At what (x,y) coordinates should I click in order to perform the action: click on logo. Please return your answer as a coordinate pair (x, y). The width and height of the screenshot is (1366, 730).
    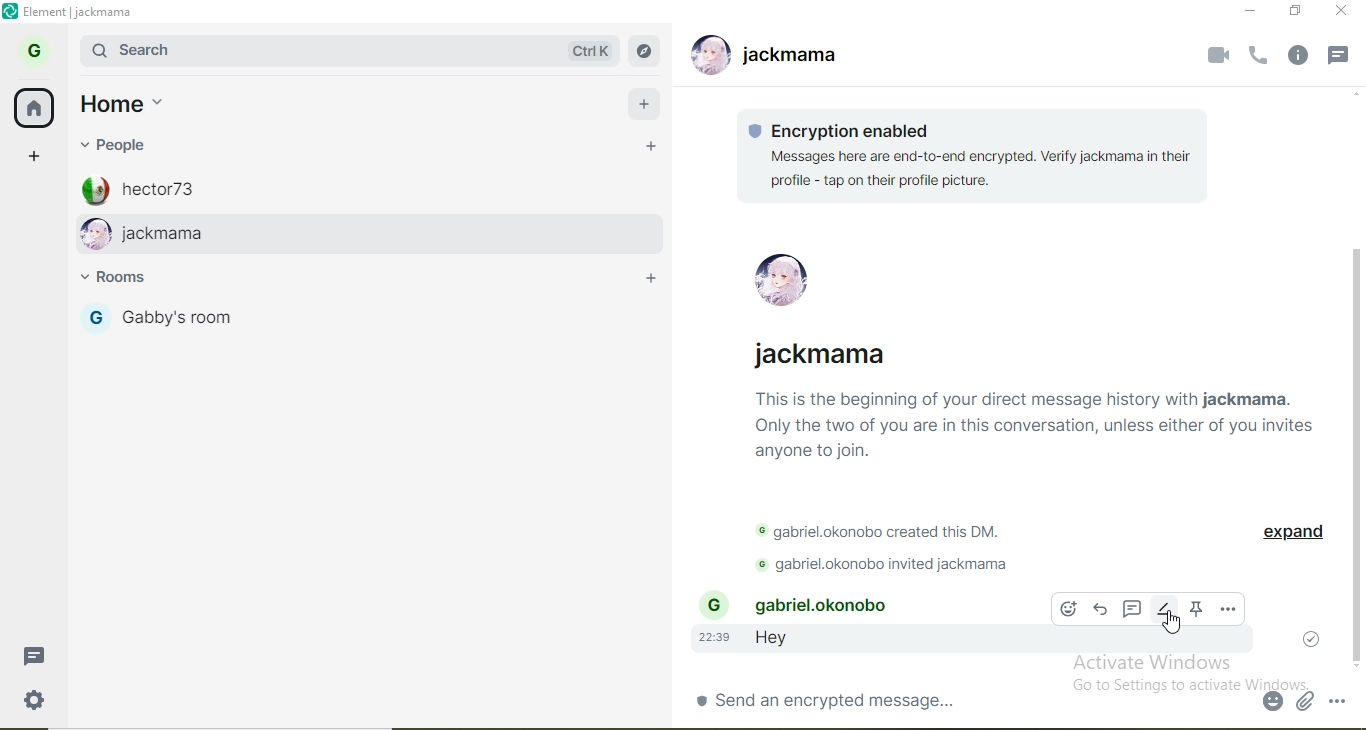
    Looking at the image, I should click on (10, 14).